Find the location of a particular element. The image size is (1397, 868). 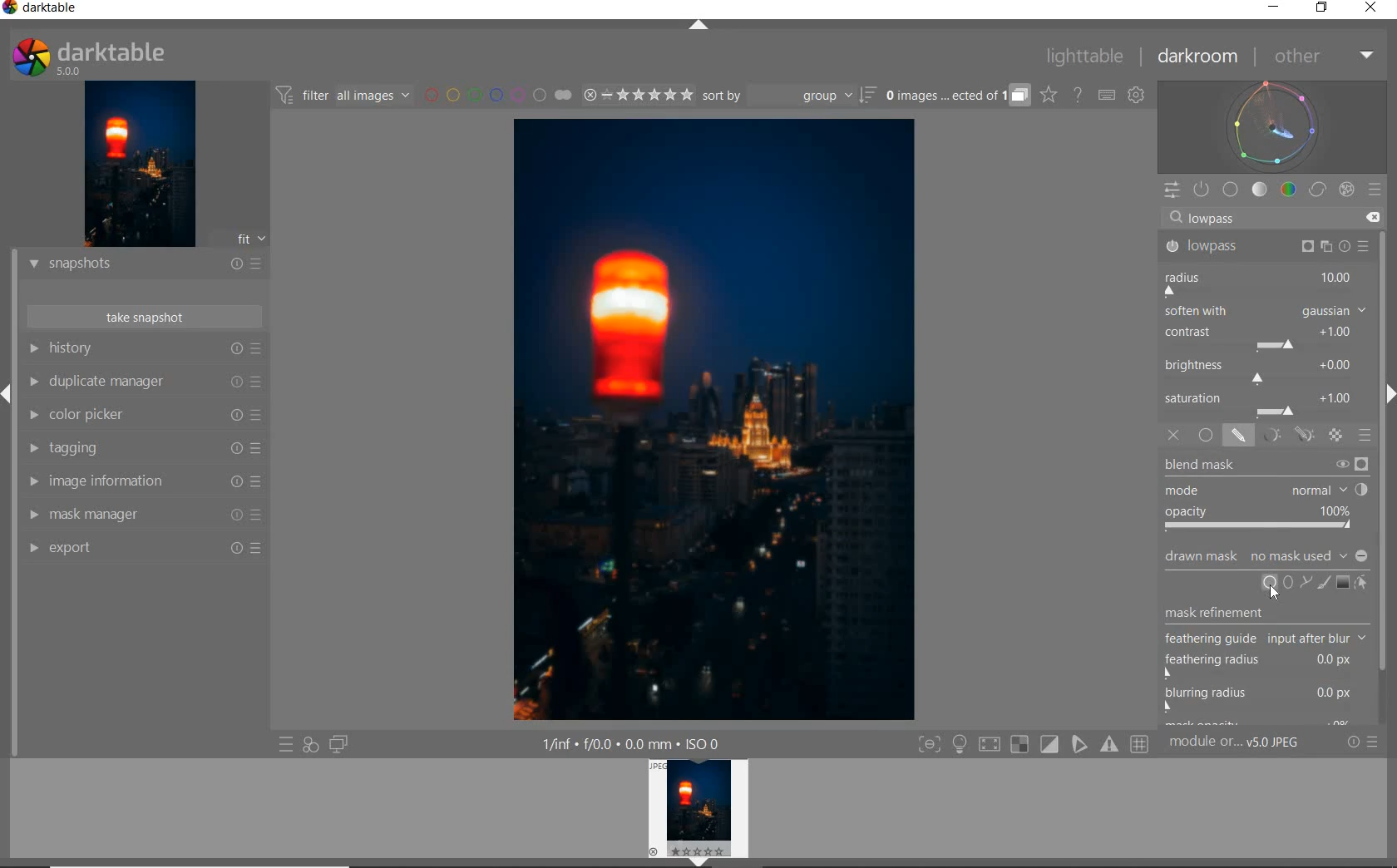

Preset and reset is located at coordinates (1365, 249).